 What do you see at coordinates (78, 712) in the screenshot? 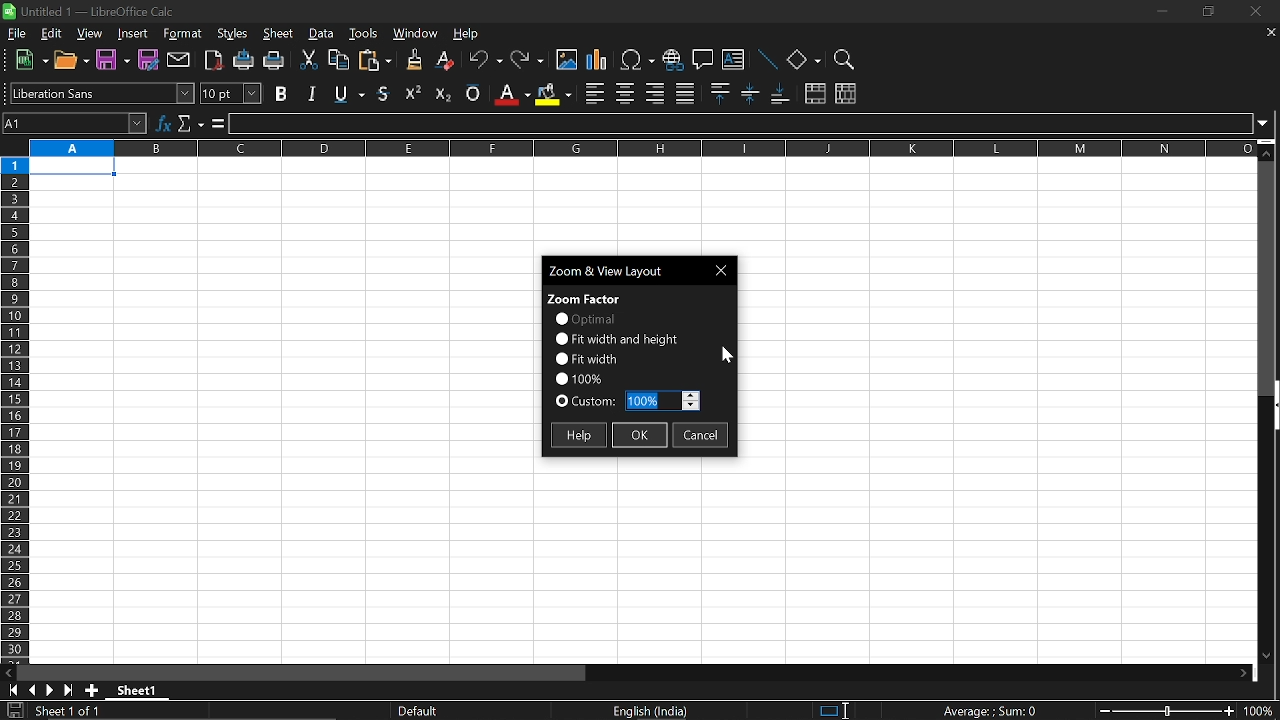
I see `current sheet` at bounding box center [78, 712].